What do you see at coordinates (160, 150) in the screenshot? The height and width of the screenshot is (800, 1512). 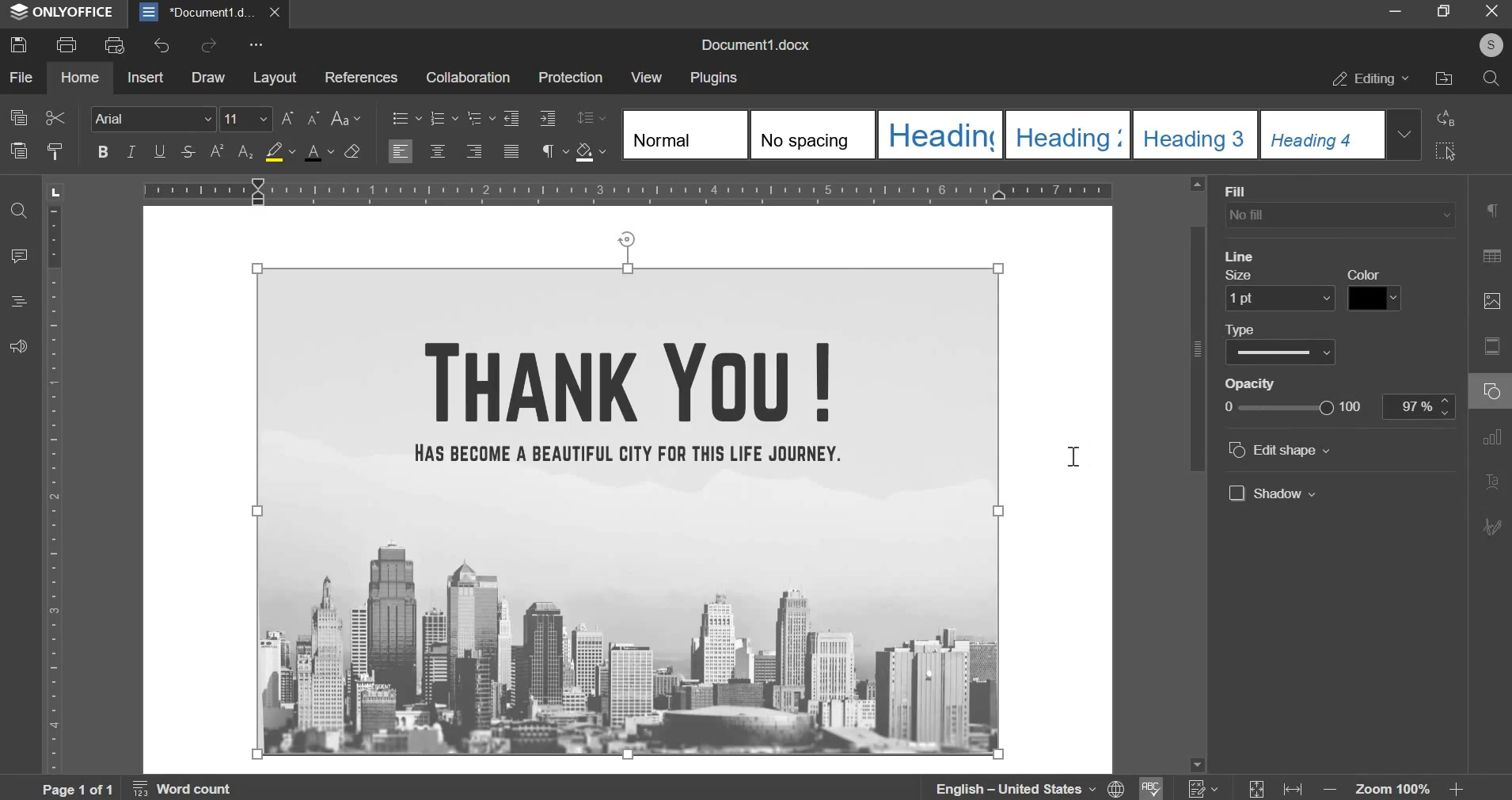 I see `underline` at bounding box center [160, 150].